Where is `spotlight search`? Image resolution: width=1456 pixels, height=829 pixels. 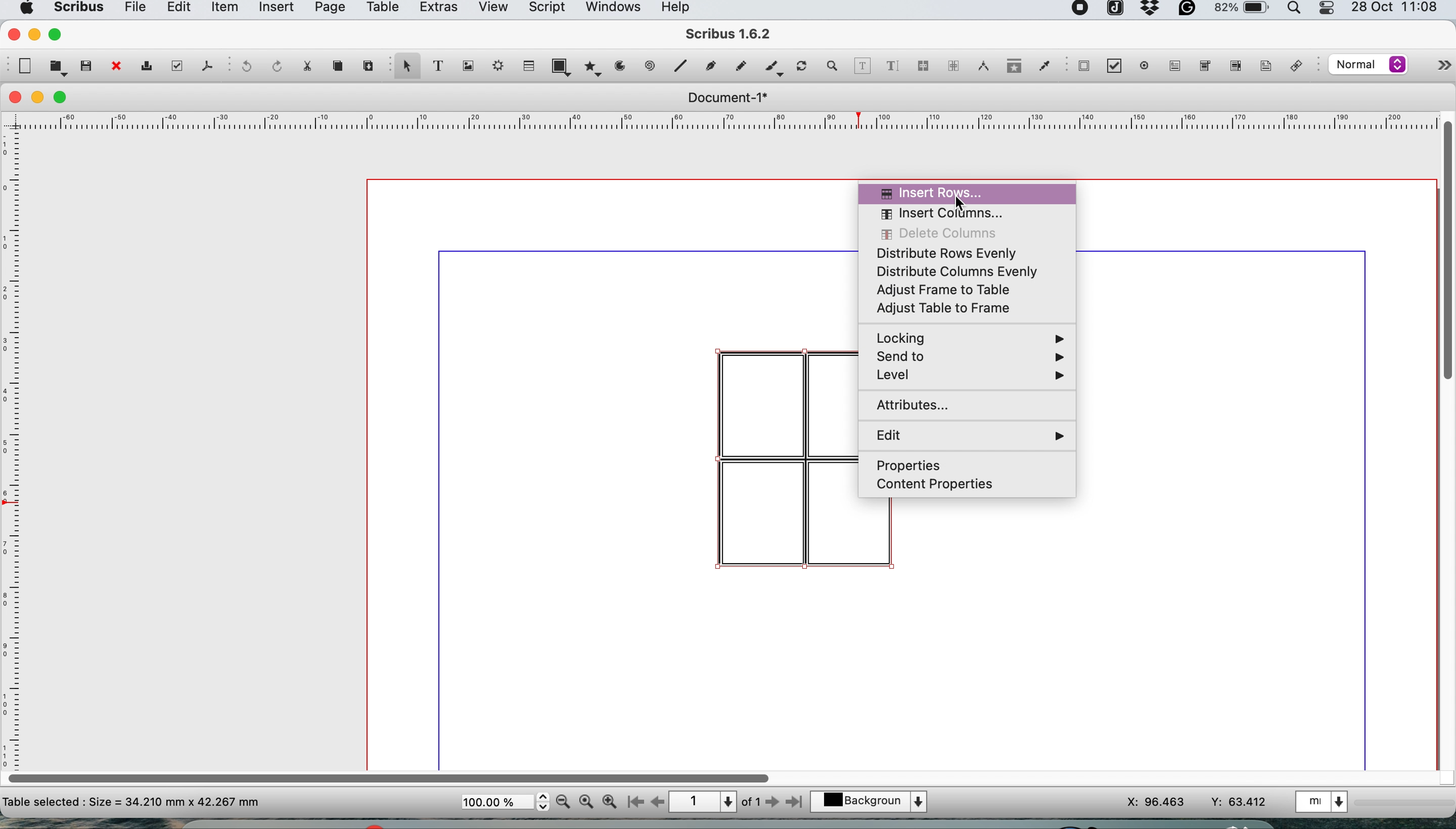
spotlight search is located at coordinates (1297, 11).